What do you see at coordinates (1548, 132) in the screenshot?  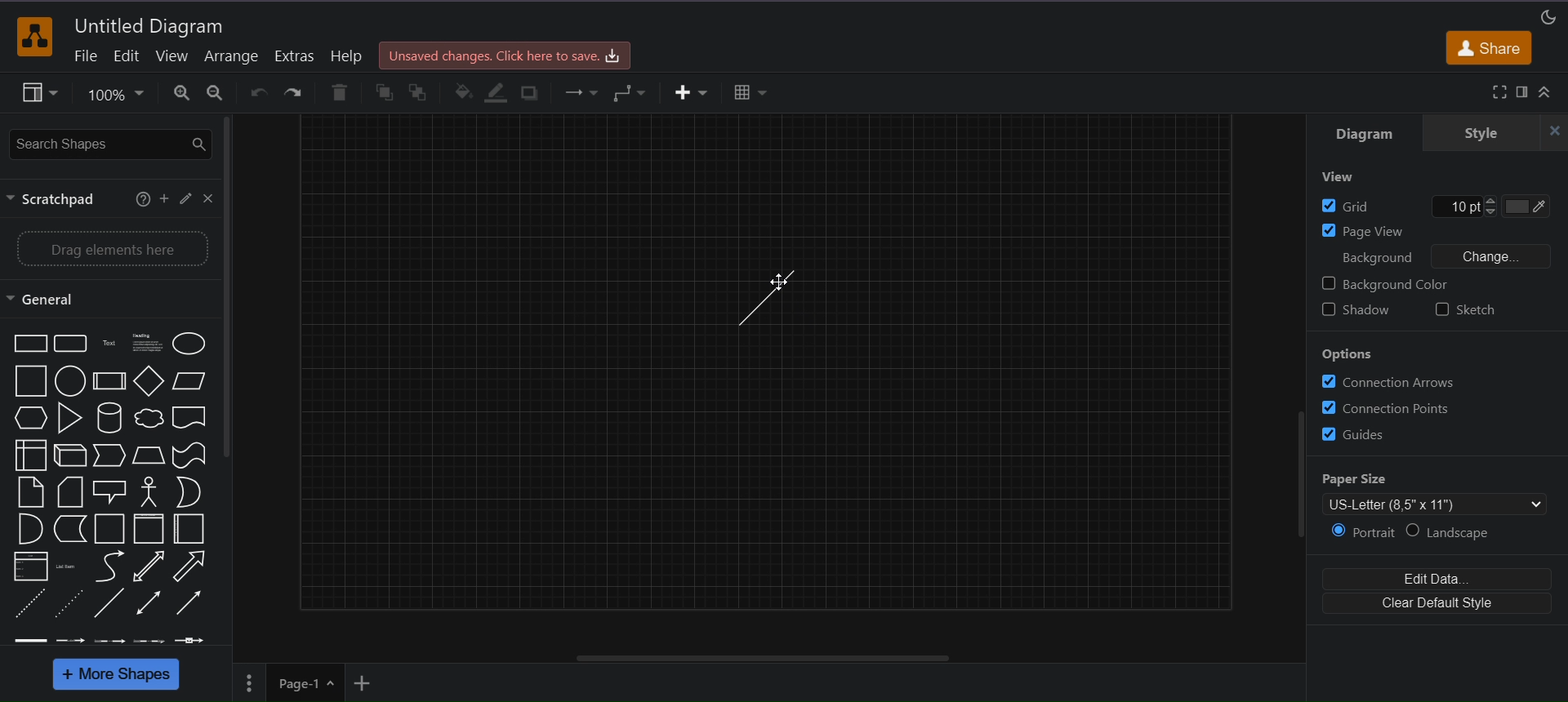 I see `hide` at bounding box center [1548, 132].